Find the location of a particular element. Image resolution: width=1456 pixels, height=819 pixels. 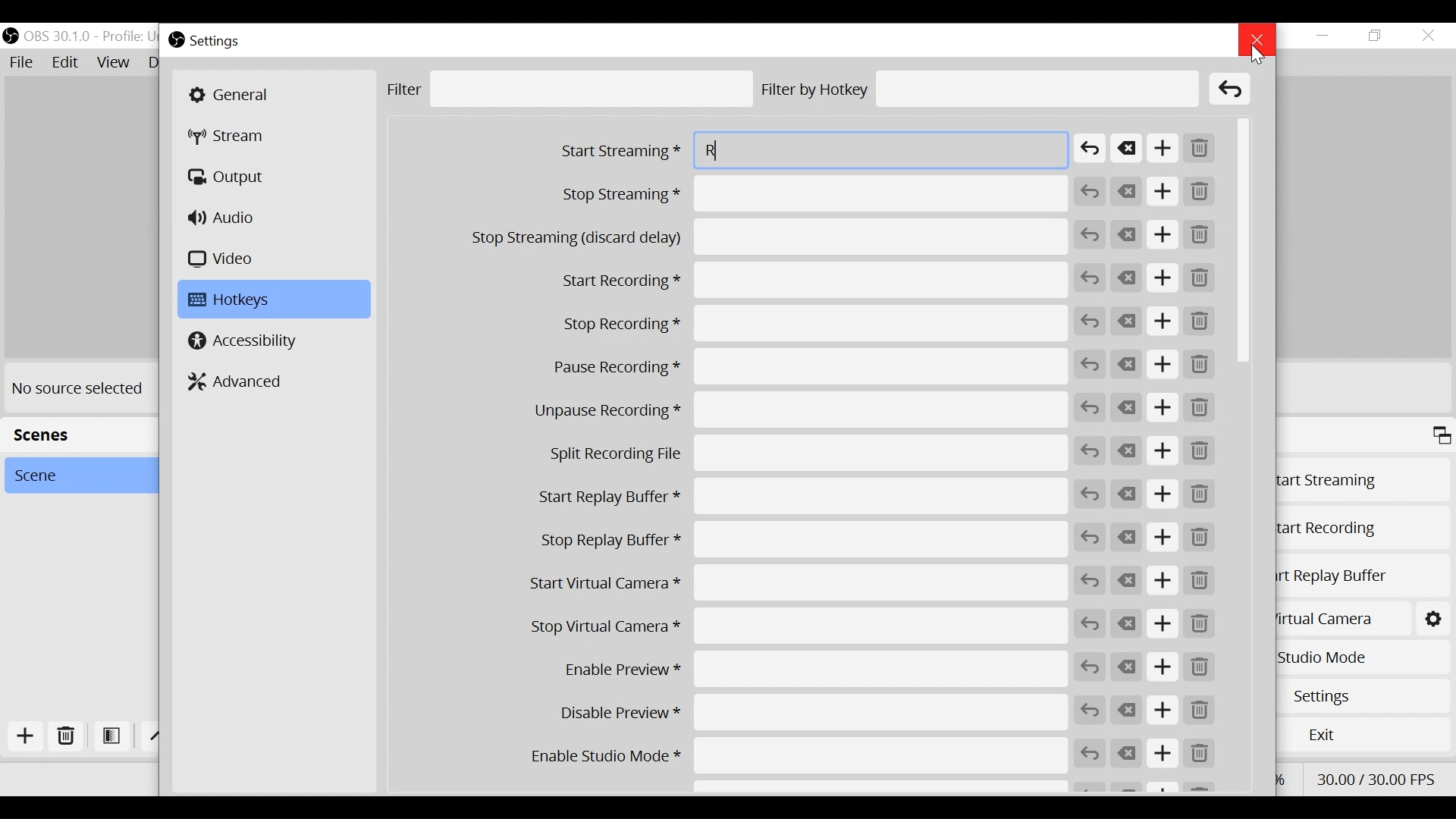

Revert is located at coordinates (1090, 450).